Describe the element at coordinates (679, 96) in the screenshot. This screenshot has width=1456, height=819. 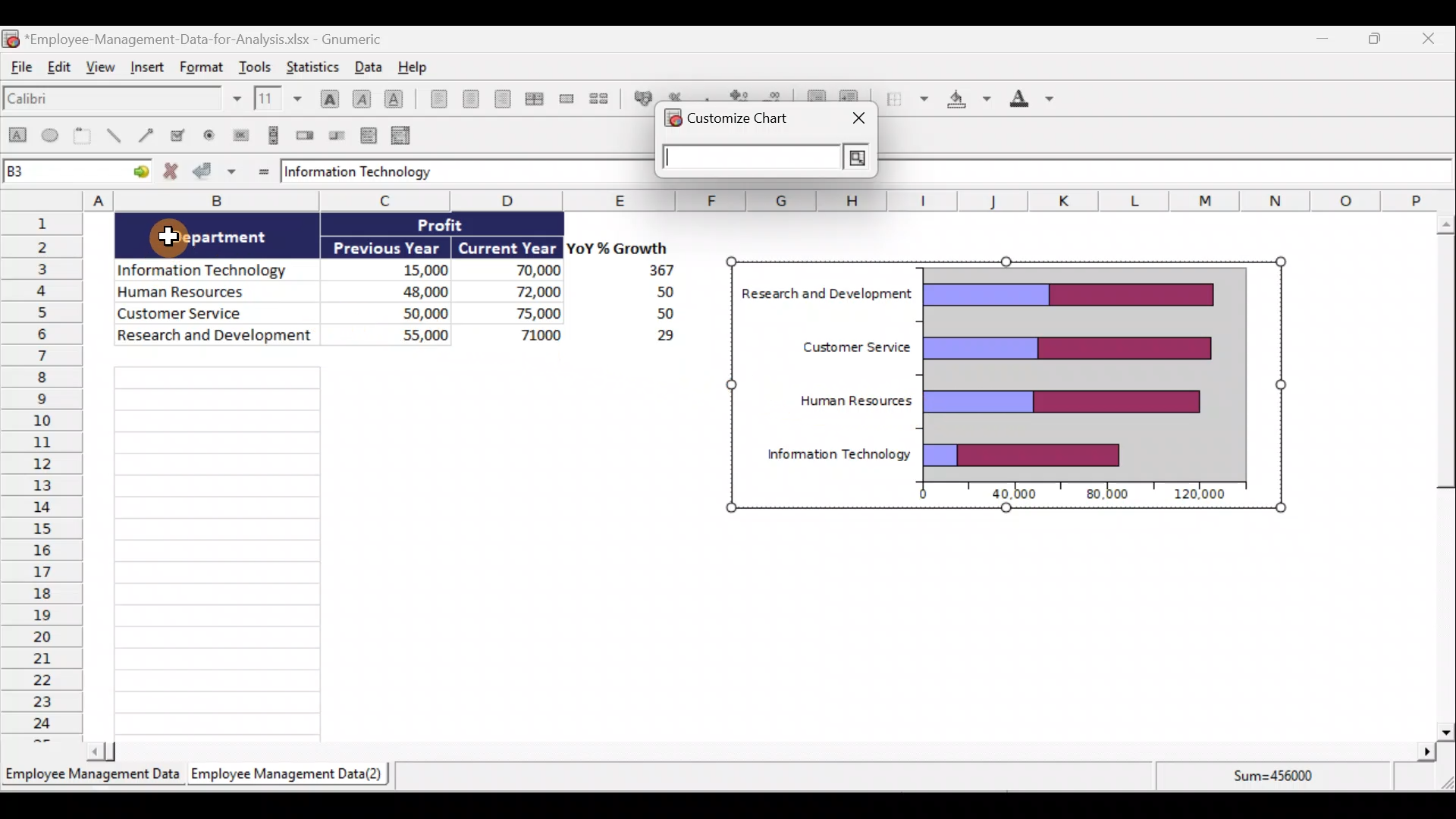
I see `Format the selection as percentage` at that location.